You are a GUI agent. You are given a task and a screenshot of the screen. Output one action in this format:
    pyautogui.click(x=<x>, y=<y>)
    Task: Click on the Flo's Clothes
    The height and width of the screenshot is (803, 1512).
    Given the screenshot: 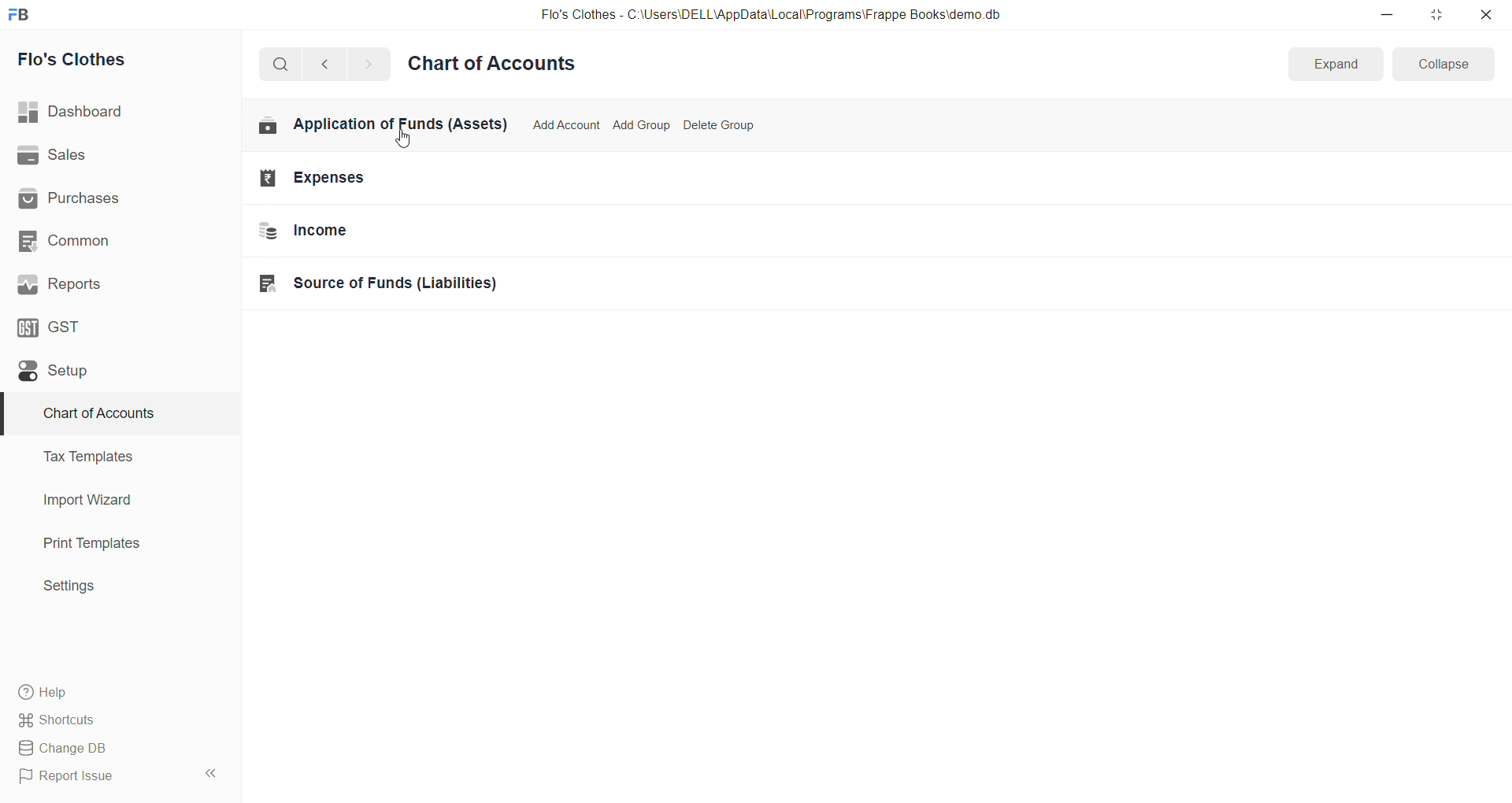 What is the action you would take?
    pyautogui.click(x=113, y=60)
    